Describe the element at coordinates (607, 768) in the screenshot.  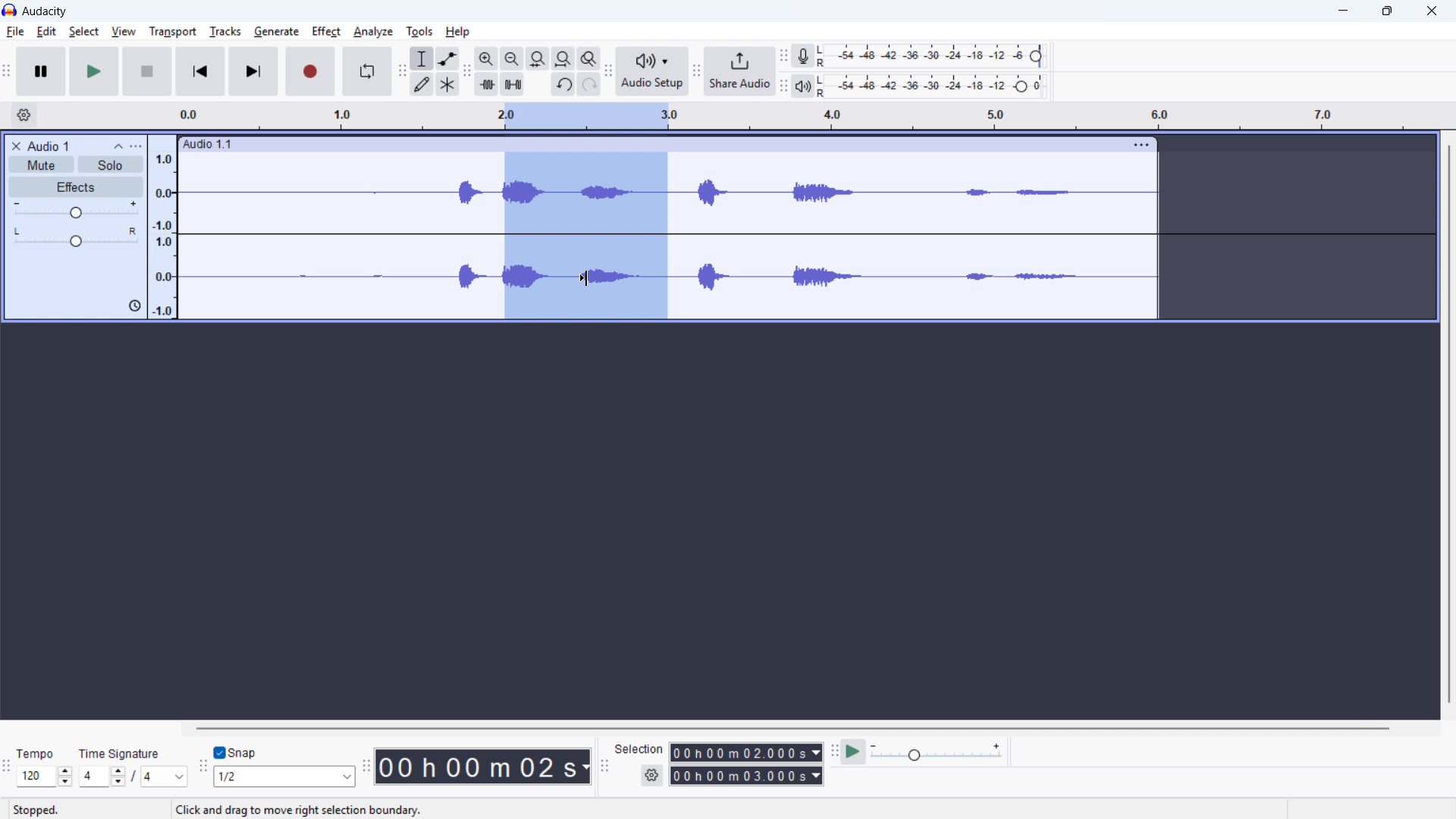
I see `Selection toolbar` at that location.